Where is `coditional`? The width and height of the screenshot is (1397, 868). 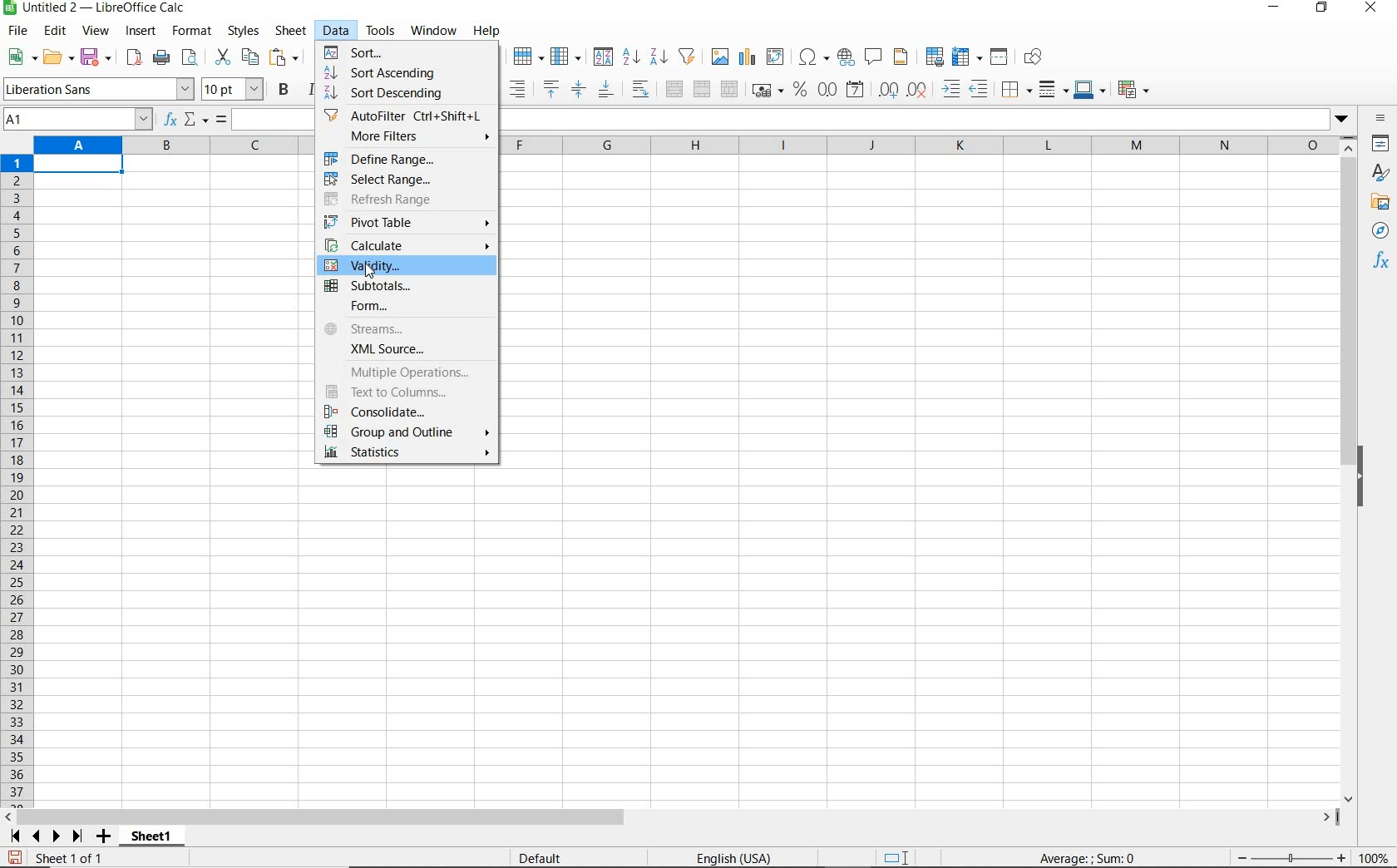 coditional is located at coordinates (1132, 90).